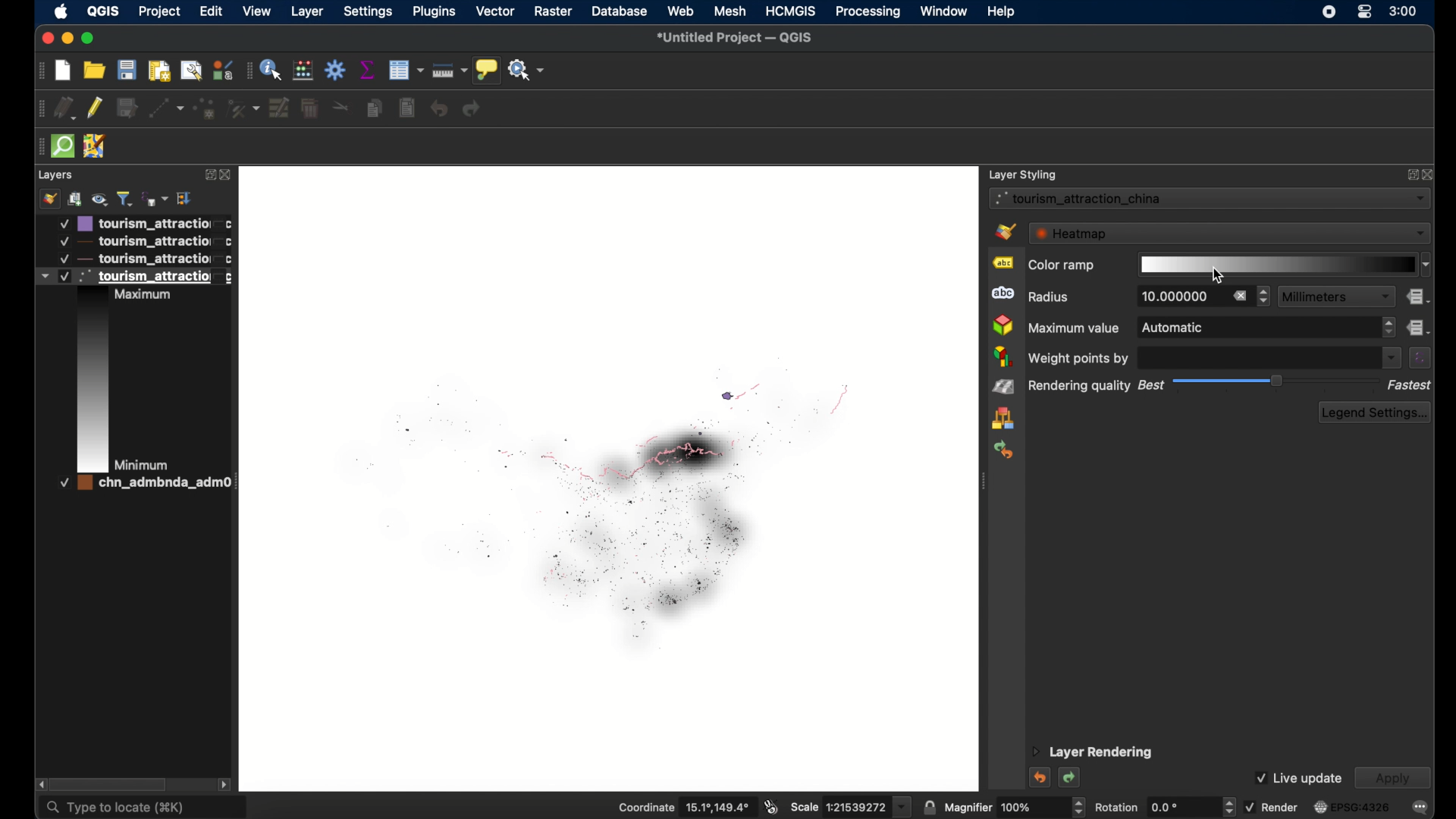 Image resolution: width=1456 pixels, height=819 pixels. Describe the element at coordinates (1074, 328) in the screenshot. I see `maximum value` at that location.